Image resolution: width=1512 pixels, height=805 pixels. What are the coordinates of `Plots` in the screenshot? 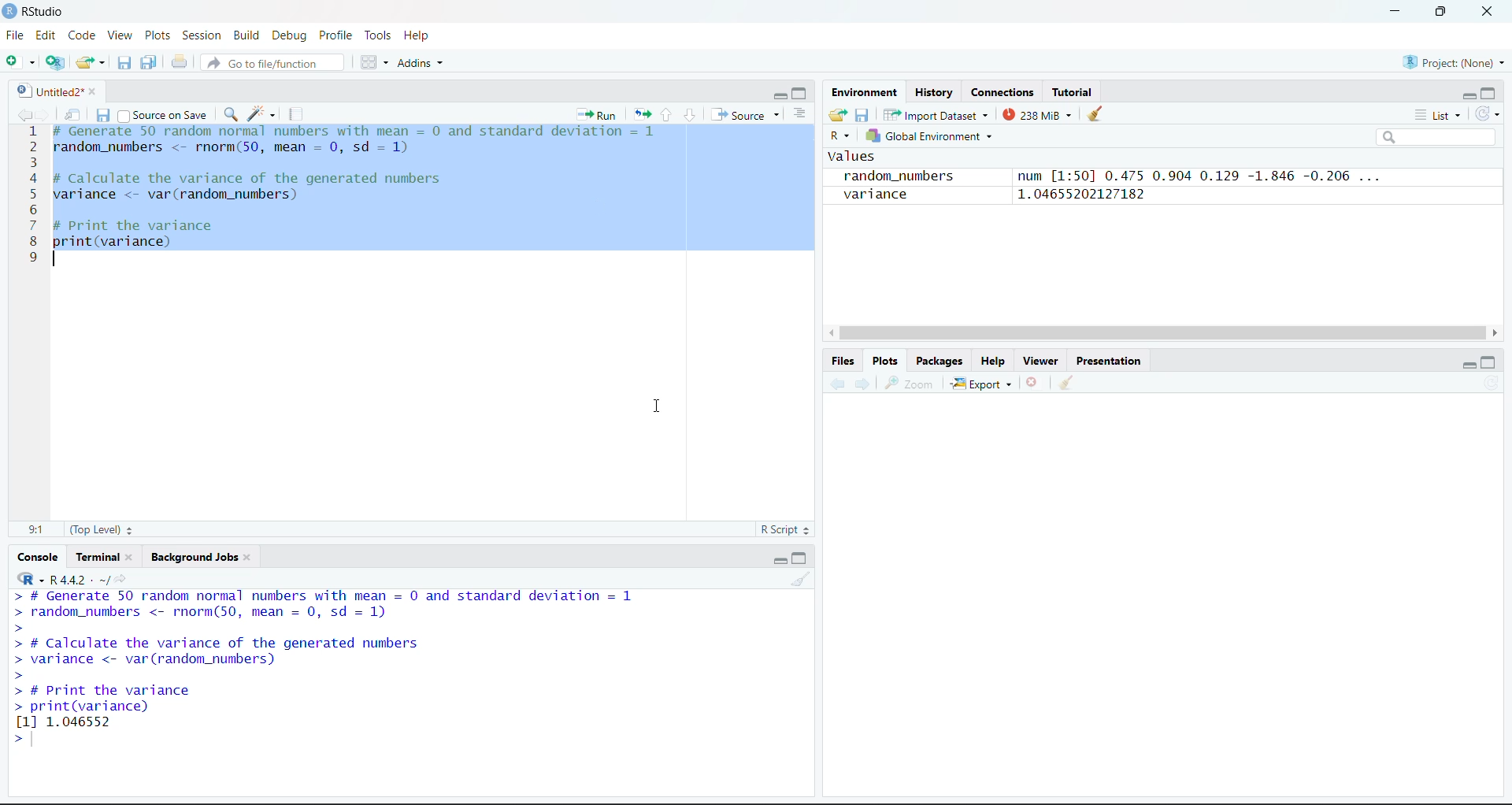 It's located at (157, 35).